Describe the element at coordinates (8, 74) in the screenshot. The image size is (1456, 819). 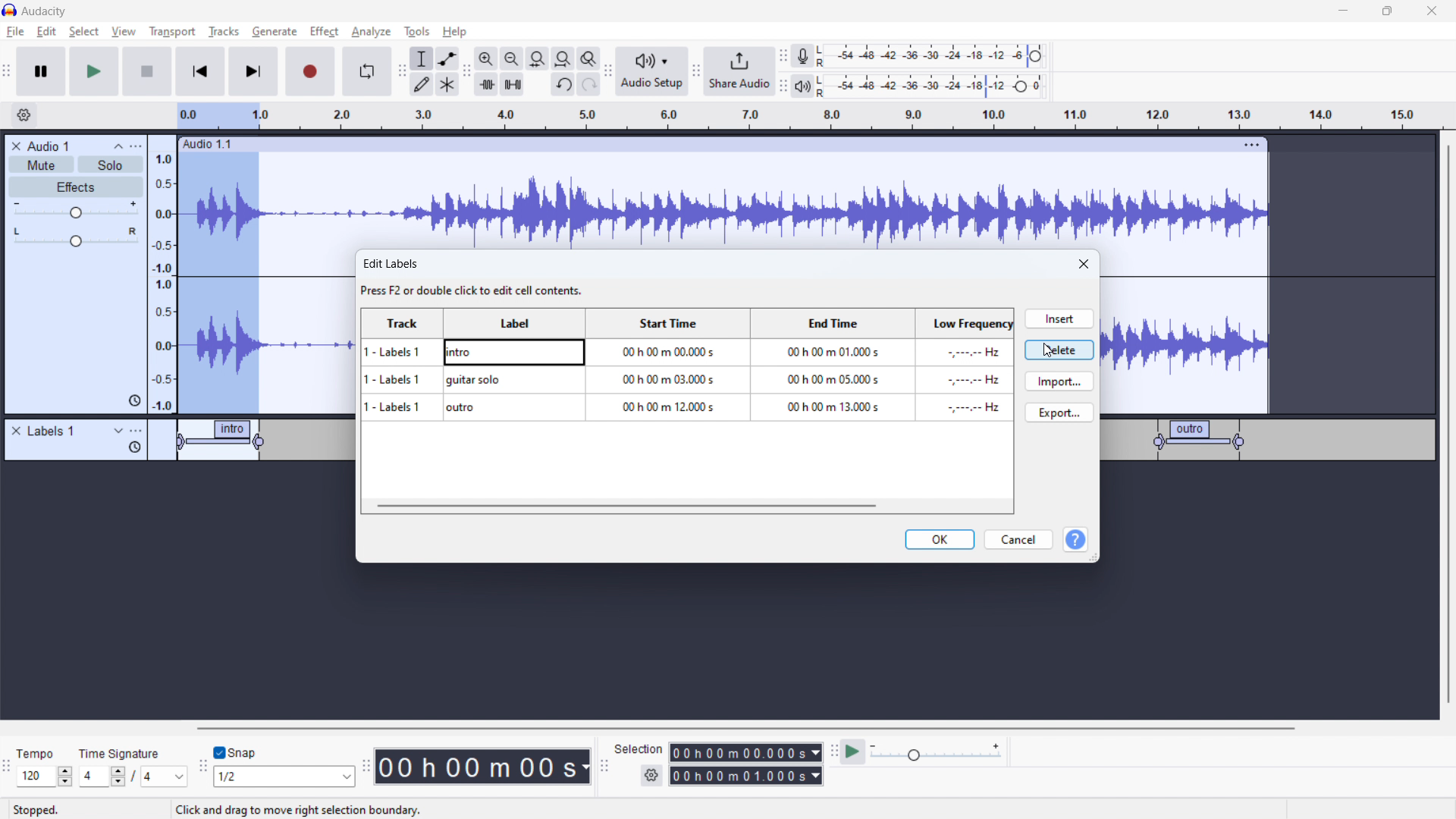
I see `transport toolbar` at that location.